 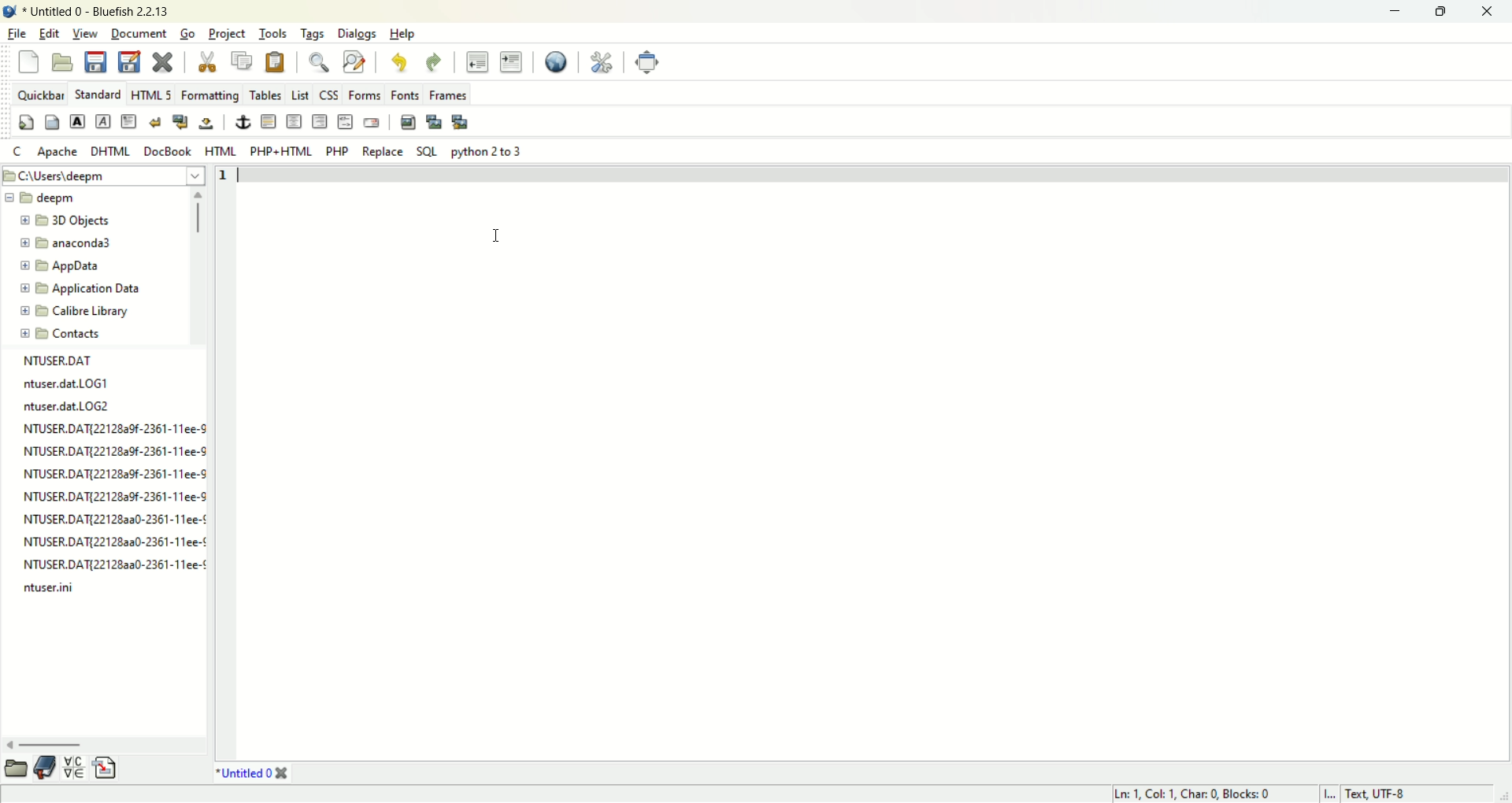 I want to click on C, so click(x=13, y=150).